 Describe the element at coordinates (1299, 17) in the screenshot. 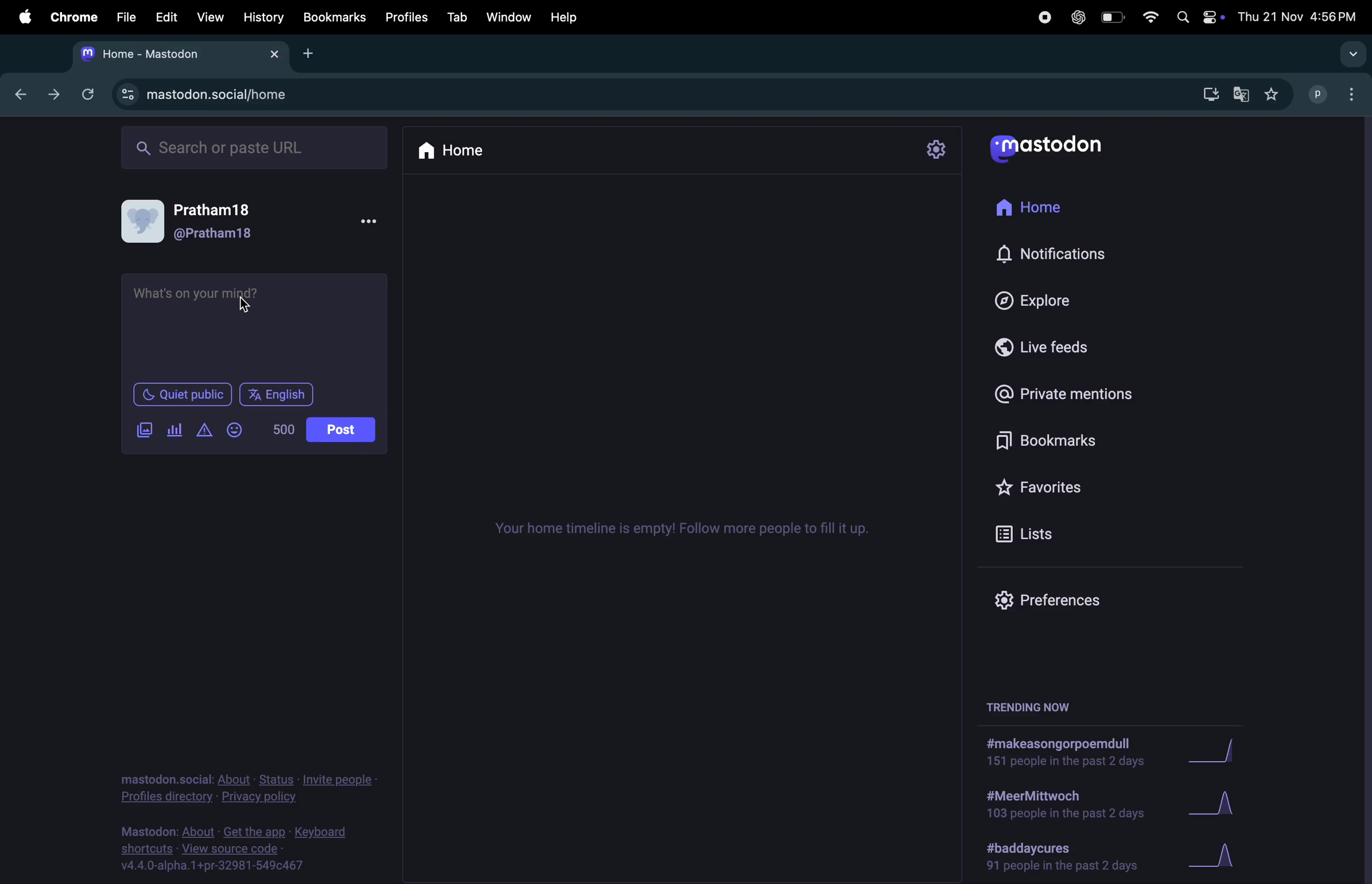

I see `date and time` at that location.